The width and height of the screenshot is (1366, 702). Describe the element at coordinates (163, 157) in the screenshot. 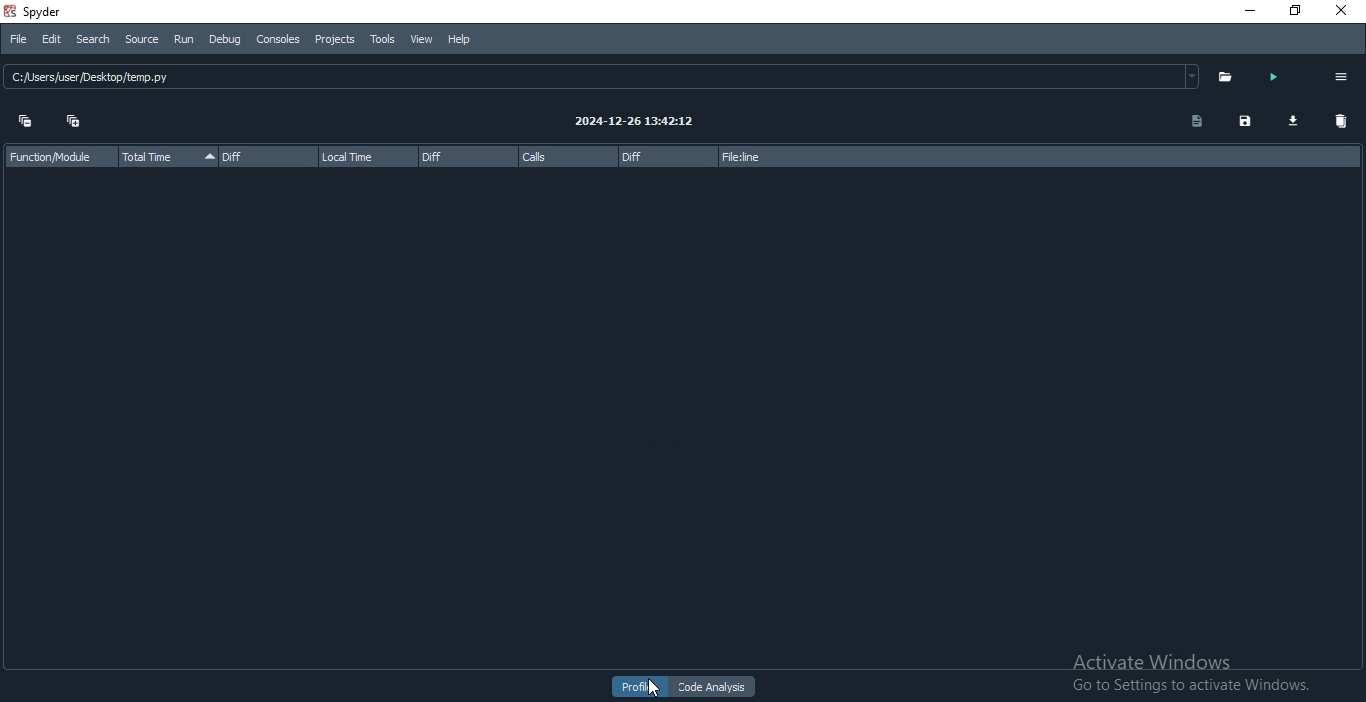

I see `total time` at that location.